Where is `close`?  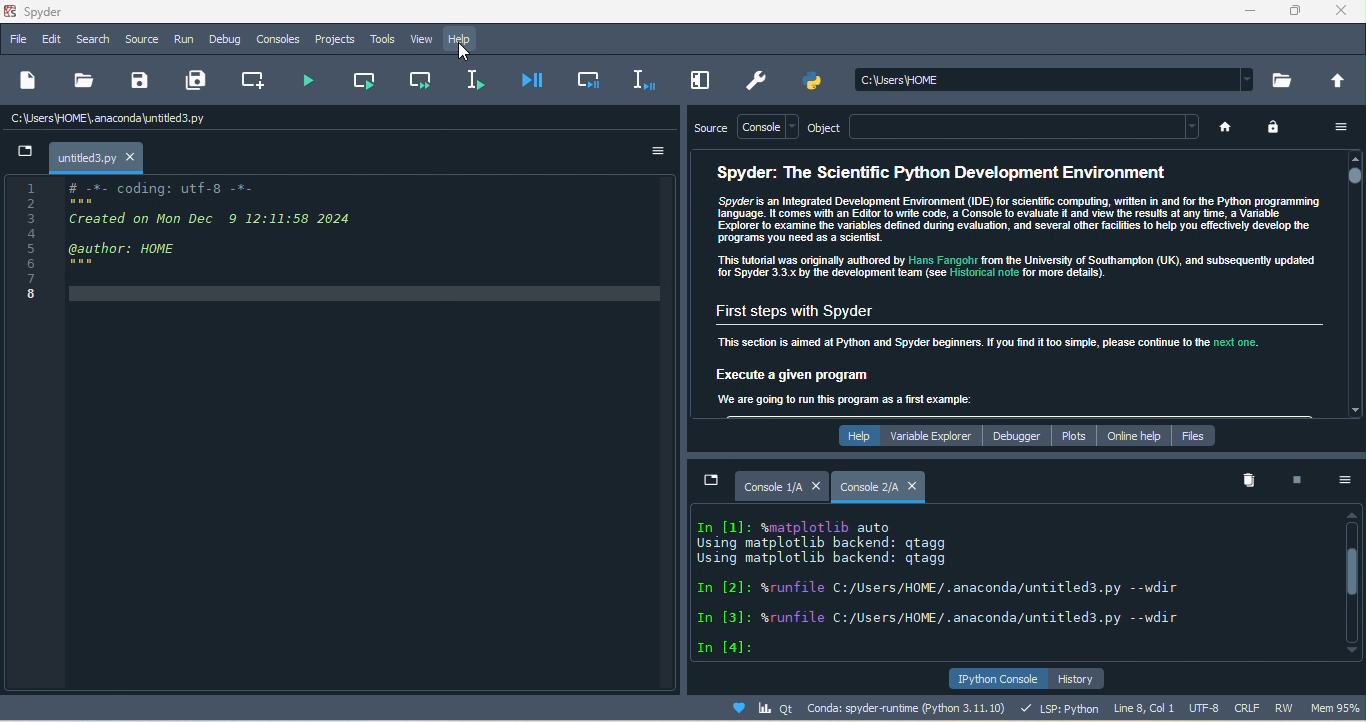 close is located at coordinates (816, 484).